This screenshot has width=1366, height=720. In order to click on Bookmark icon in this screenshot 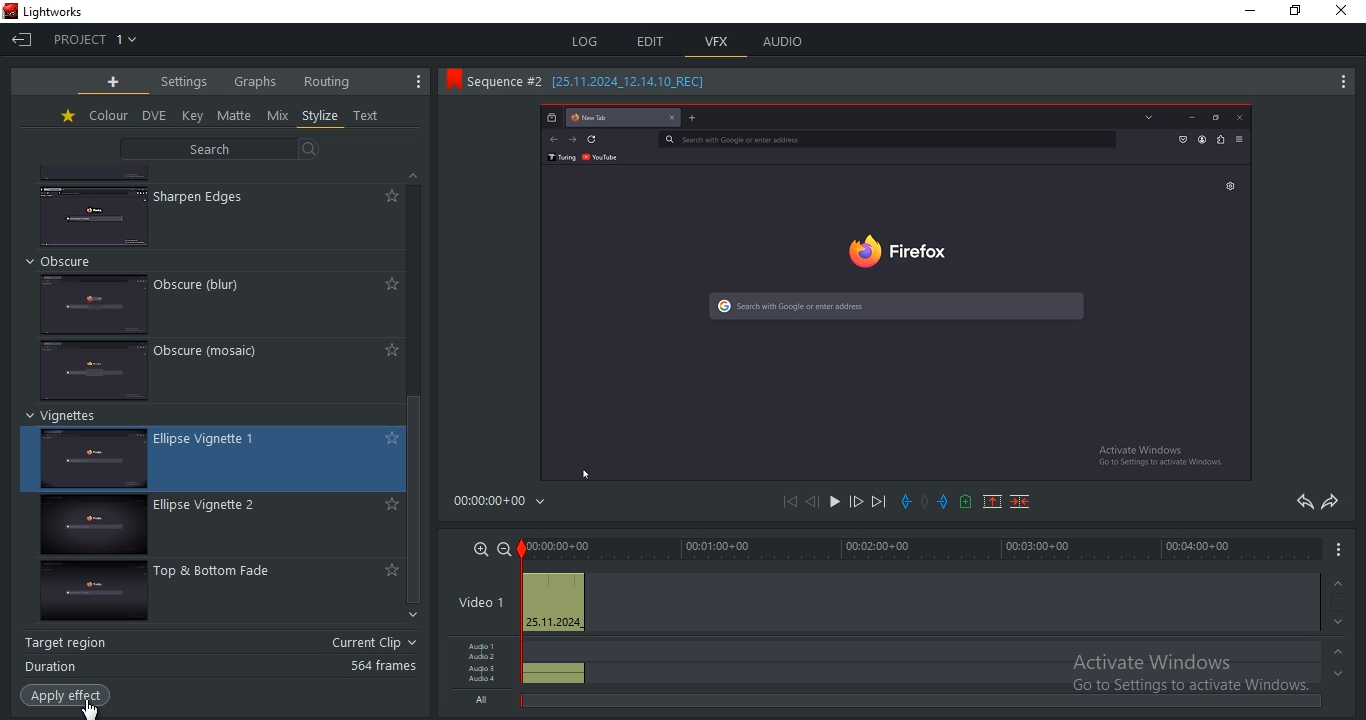, I will do `click(449, 83)`.